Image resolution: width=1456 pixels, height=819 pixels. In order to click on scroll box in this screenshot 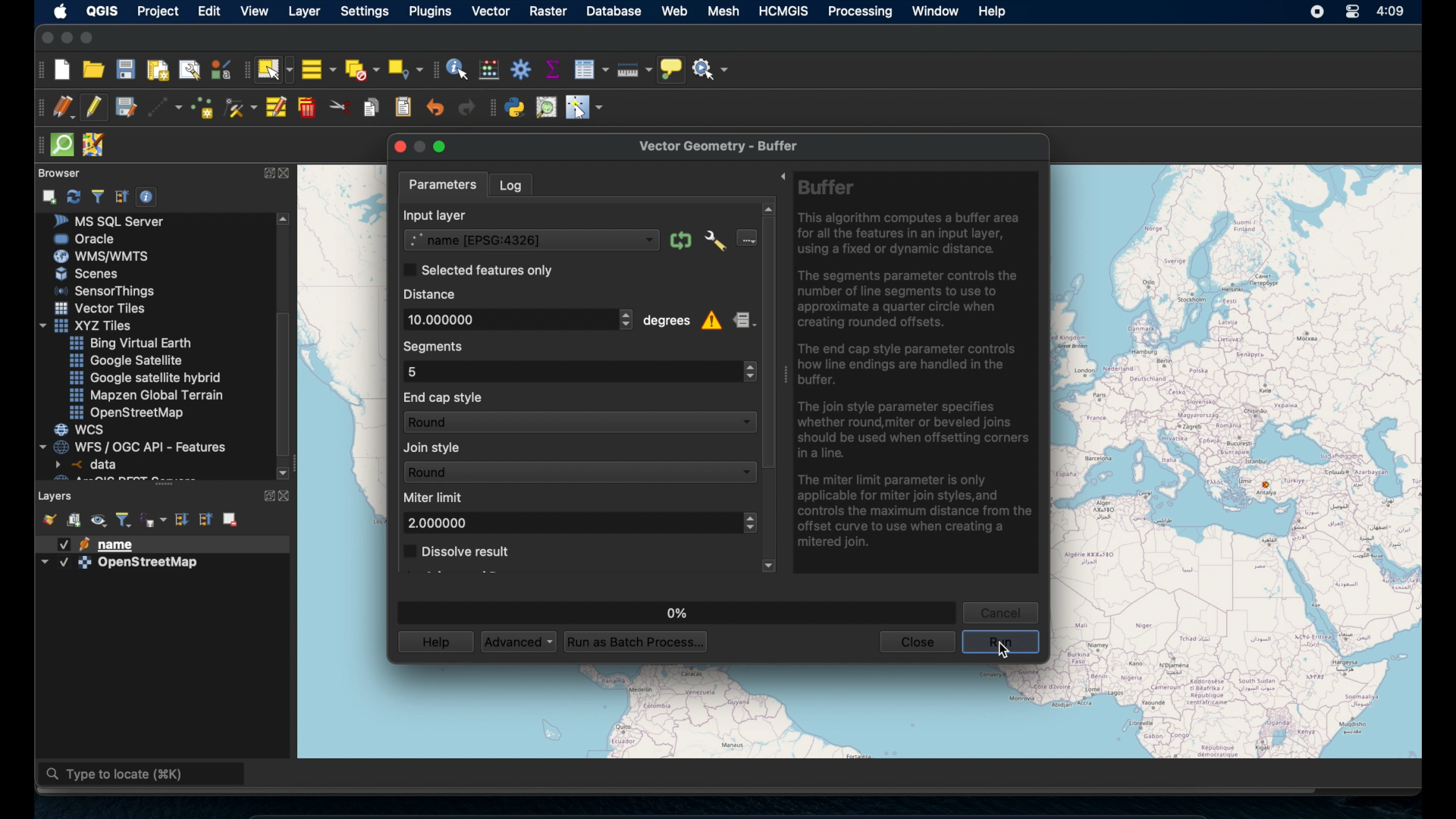, I will do `click(768, 340)`.